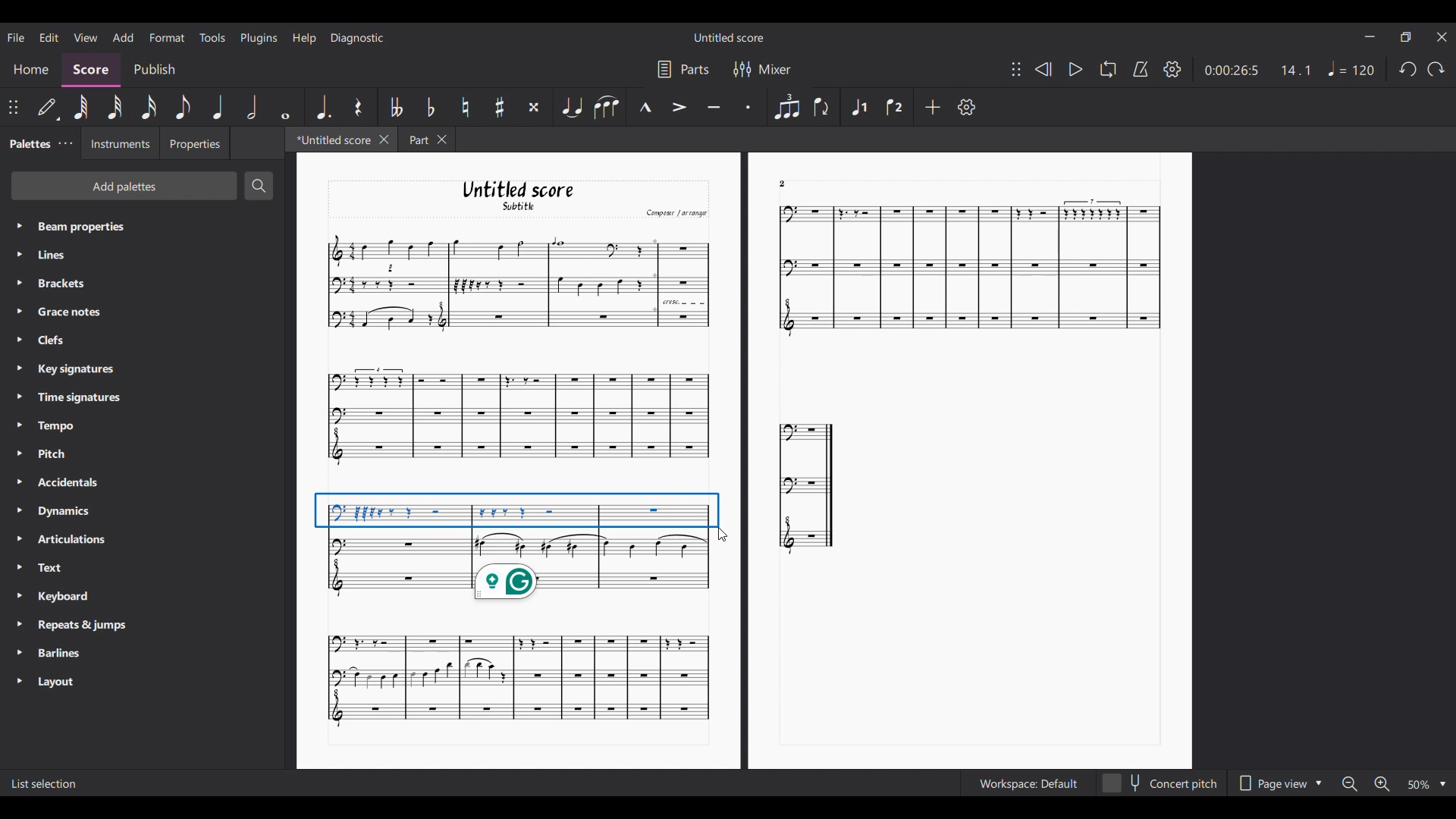 The image size is (1456, 819). Describe the element at coordinates (808, 486) in the screenshot. I see `Graph` at that location.